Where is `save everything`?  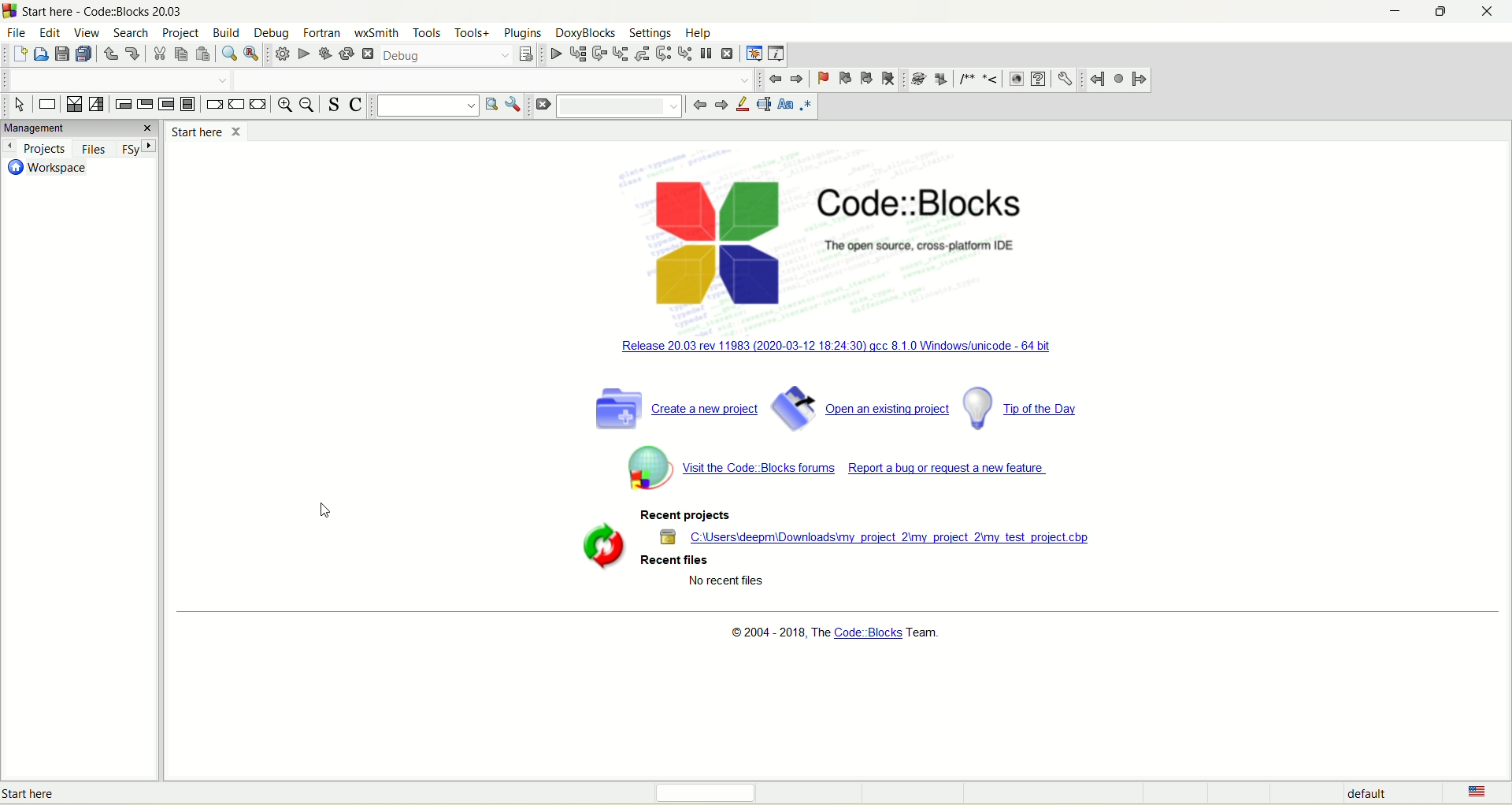
save everything is located at coordinates (83, 54).